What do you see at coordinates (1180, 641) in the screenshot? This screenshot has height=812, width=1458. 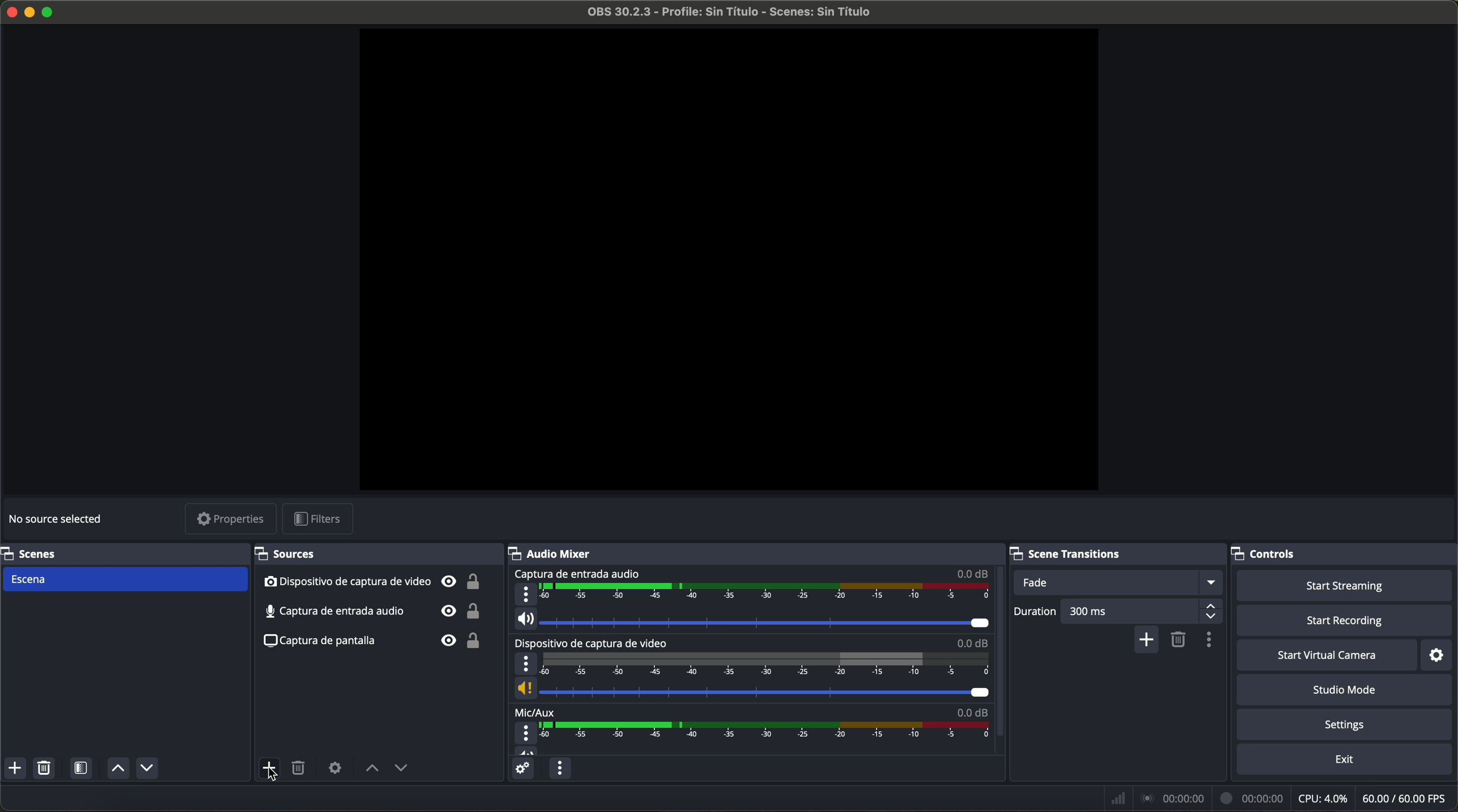 I see `remove configurable transition` at bounding box center [1180, 641].